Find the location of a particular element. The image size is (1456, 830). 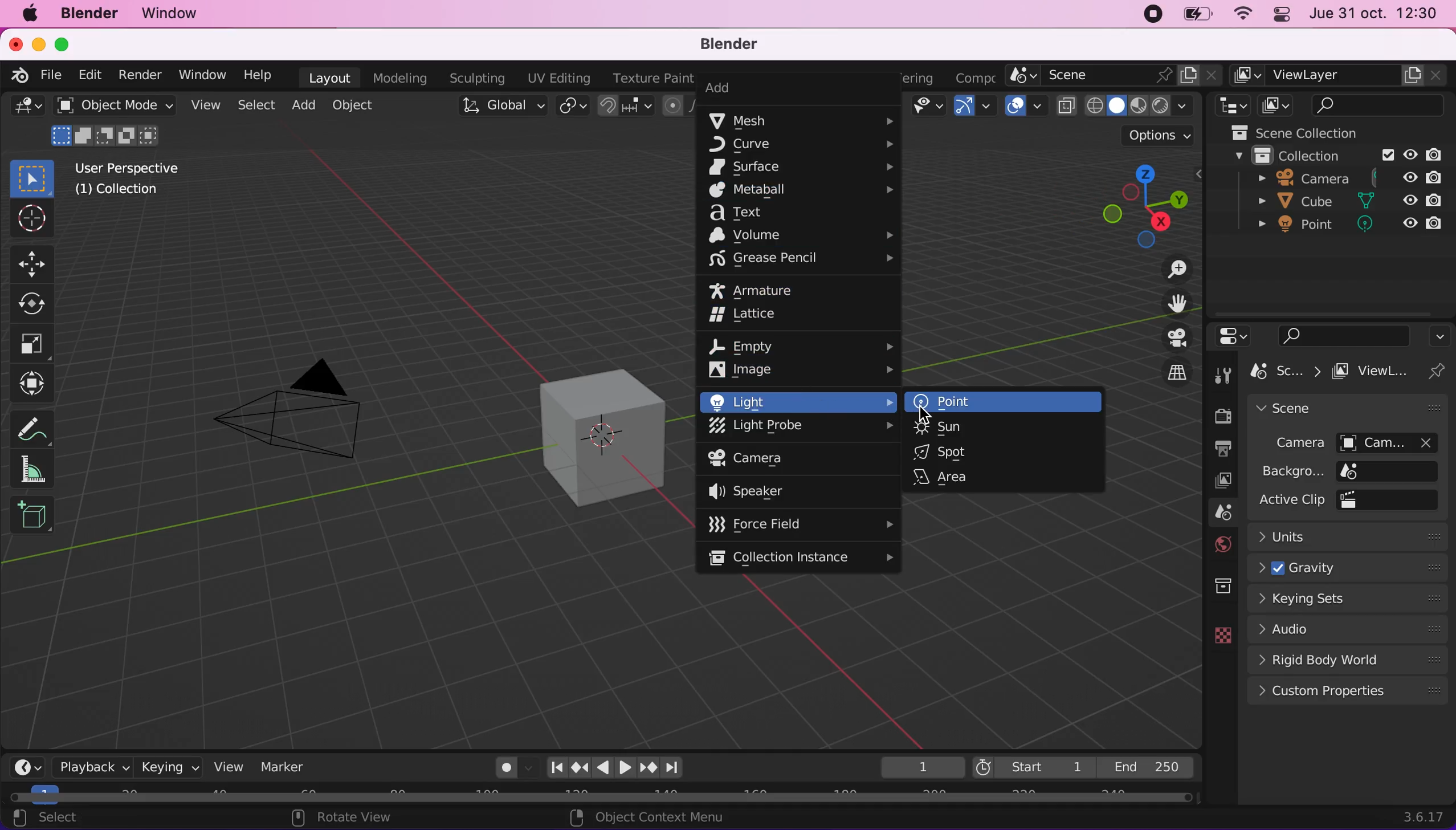

cursor on point is located at coordinates (925, 420).